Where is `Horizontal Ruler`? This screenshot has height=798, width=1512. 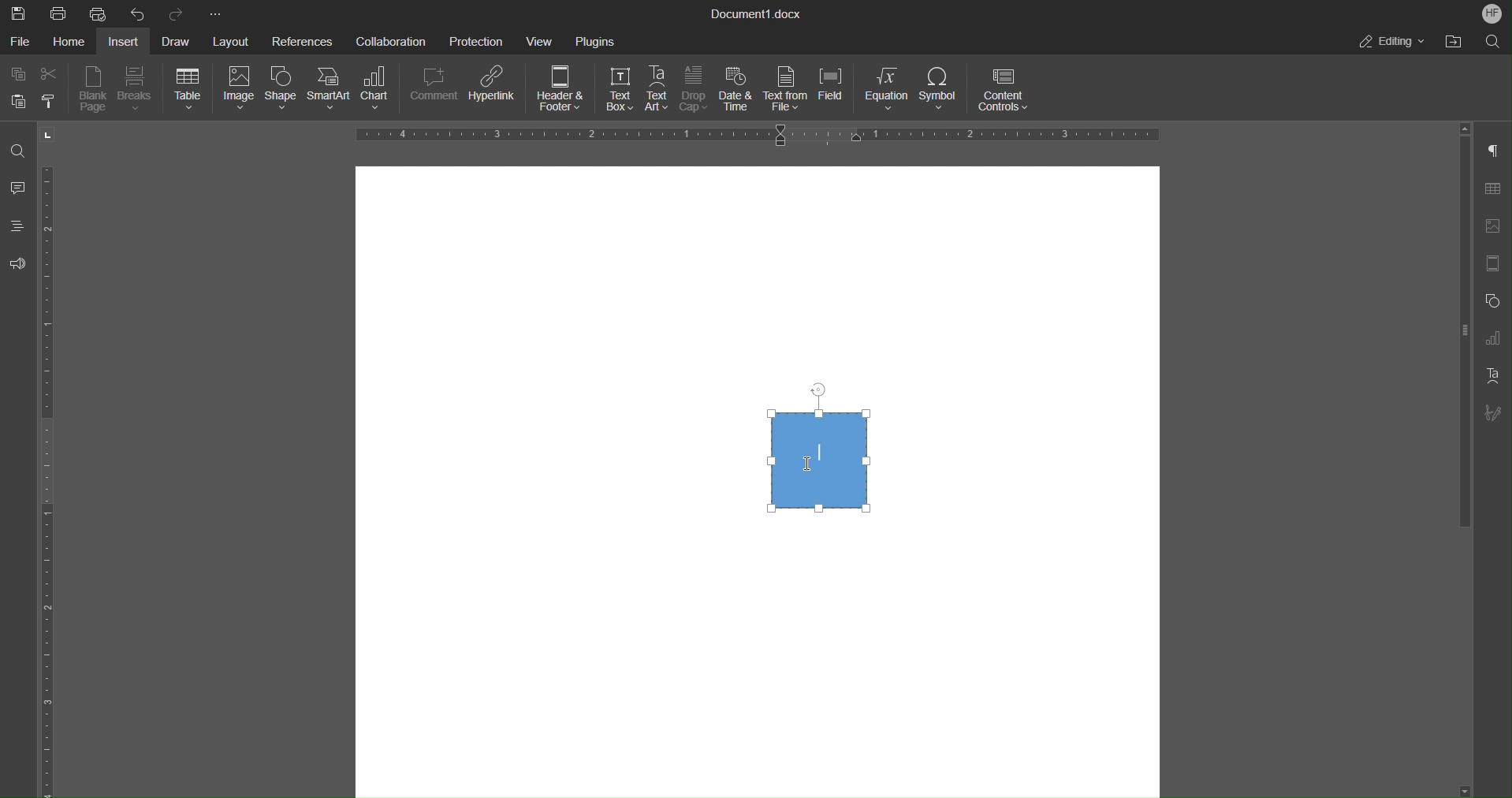
Horizontal Ruler is located at coordinates (54, 480).